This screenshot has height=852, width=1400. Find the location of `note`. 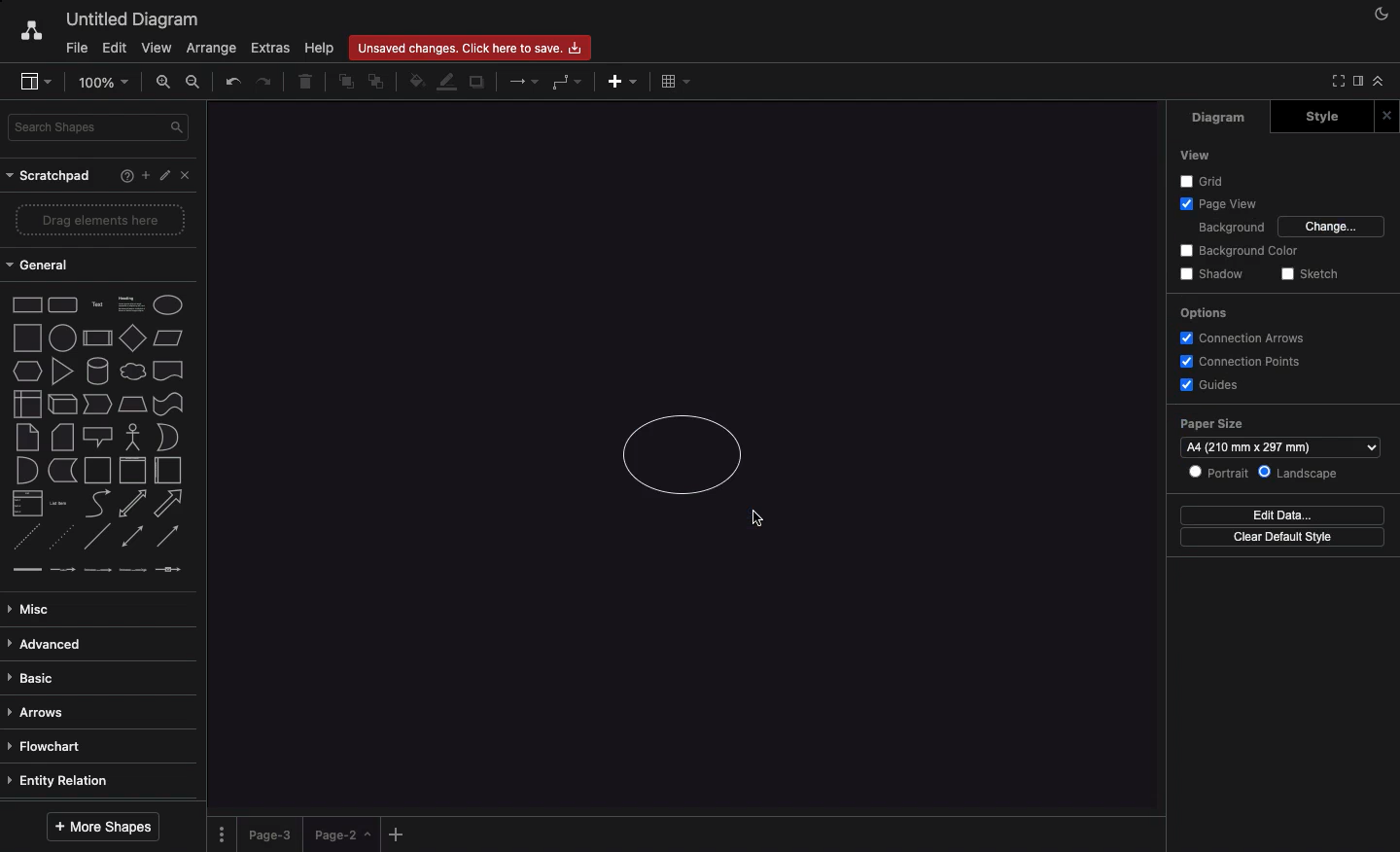

note is located at coordinates (27, 438).